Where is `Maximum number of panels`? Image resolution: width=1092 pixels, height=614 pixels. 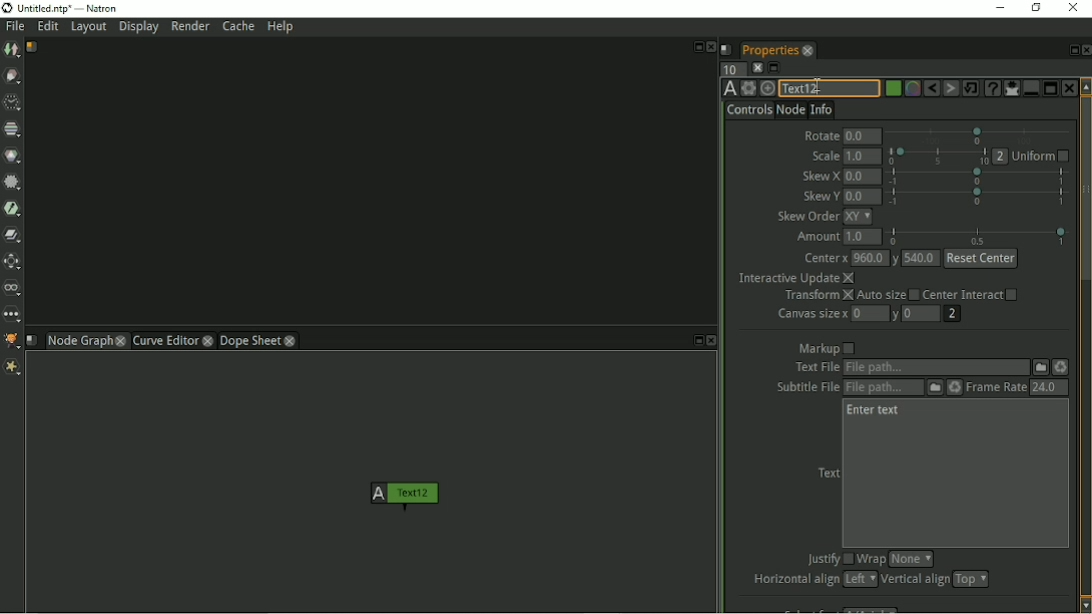
Maximum number of panels is located at coordinates (732, 68).